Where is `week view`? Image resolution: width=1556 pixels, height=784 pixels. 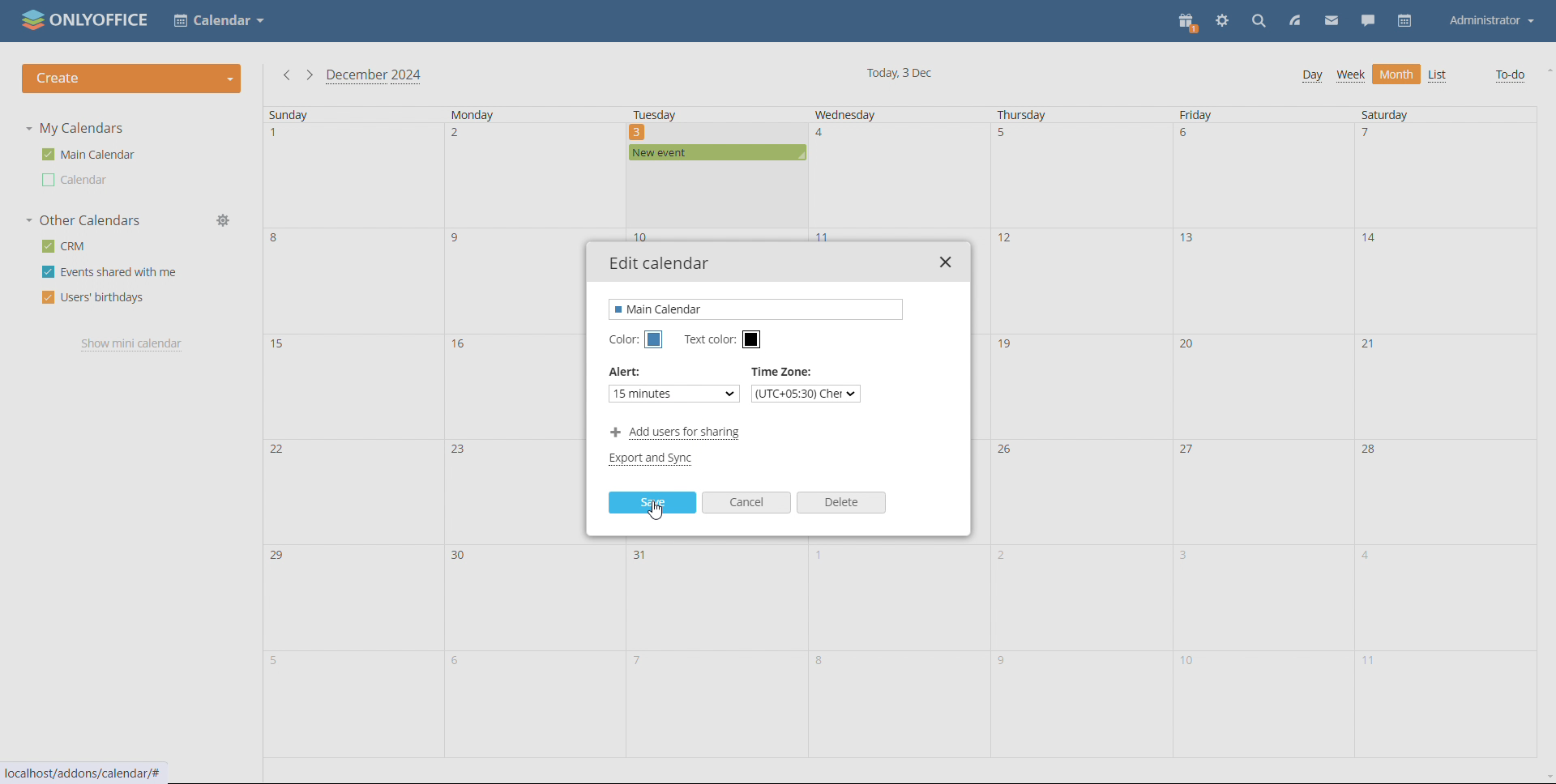 week view is located at coordinates (1350, 76).